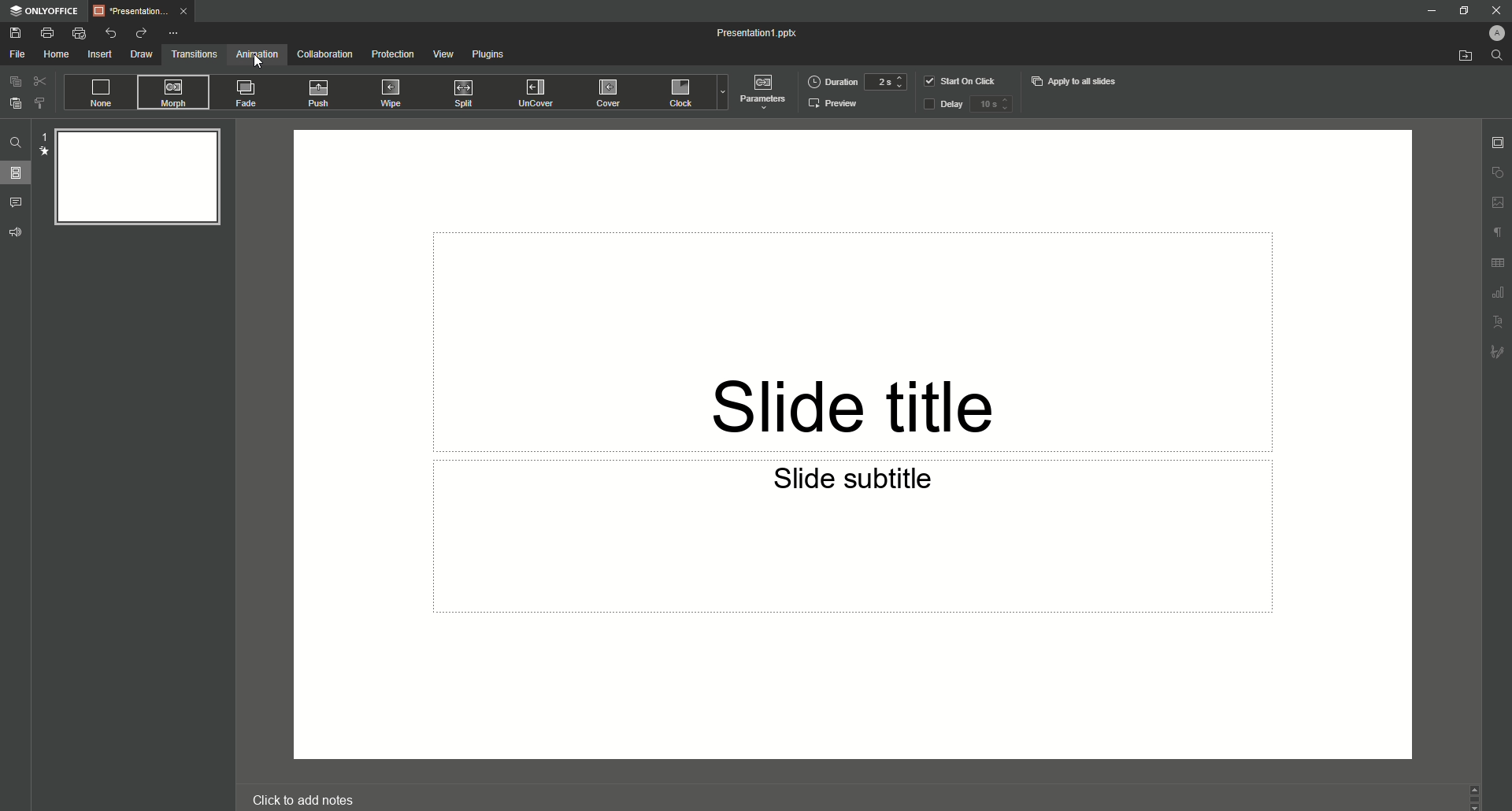 This screenshot has width=1512, height=811. I want to click on Minimize, so click(1434, 11).